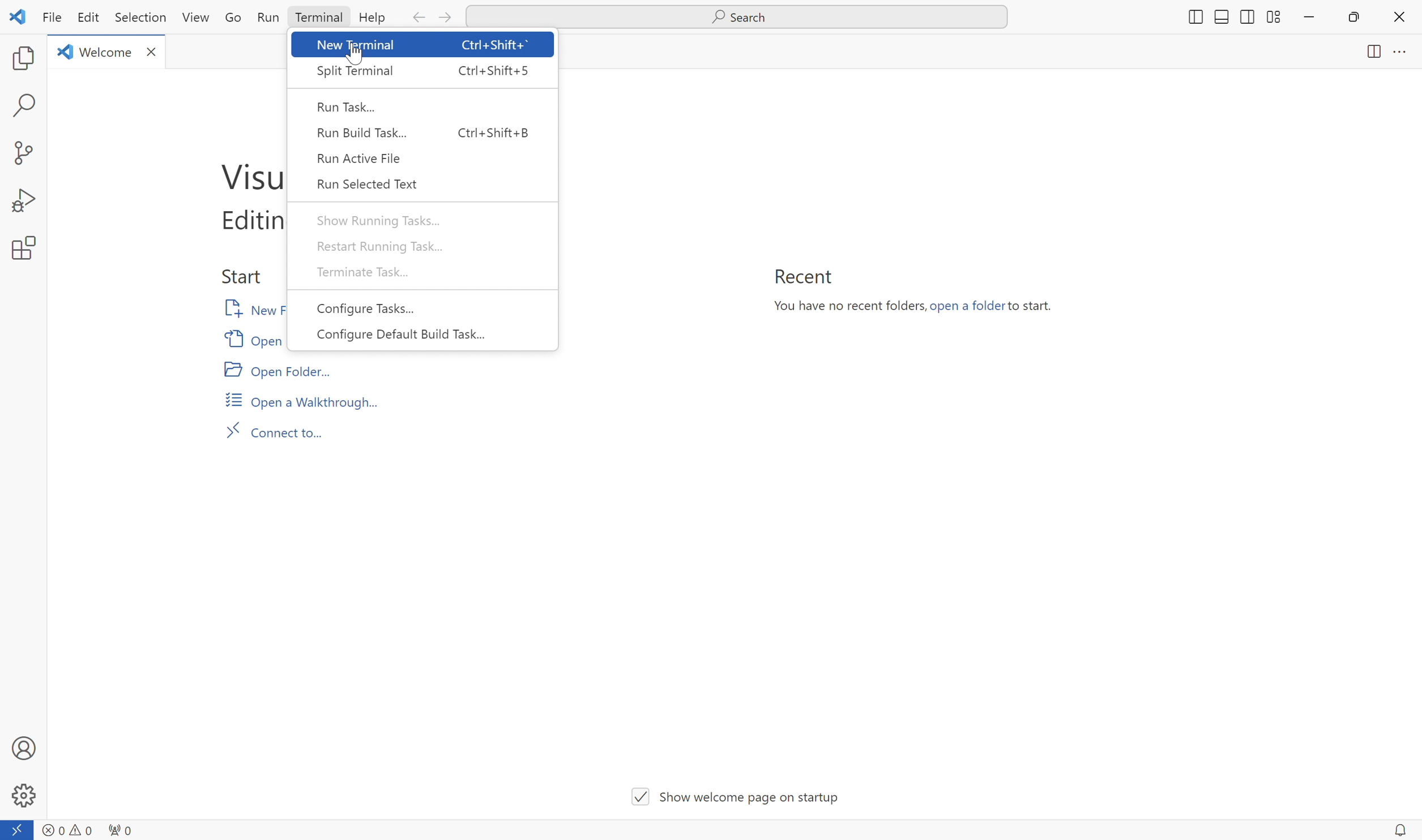 The image size is (1422, 840). What do you see at coordinates (1356, 18) in the screenshot?
I see `maximize` at bounding box center [1356, 18].